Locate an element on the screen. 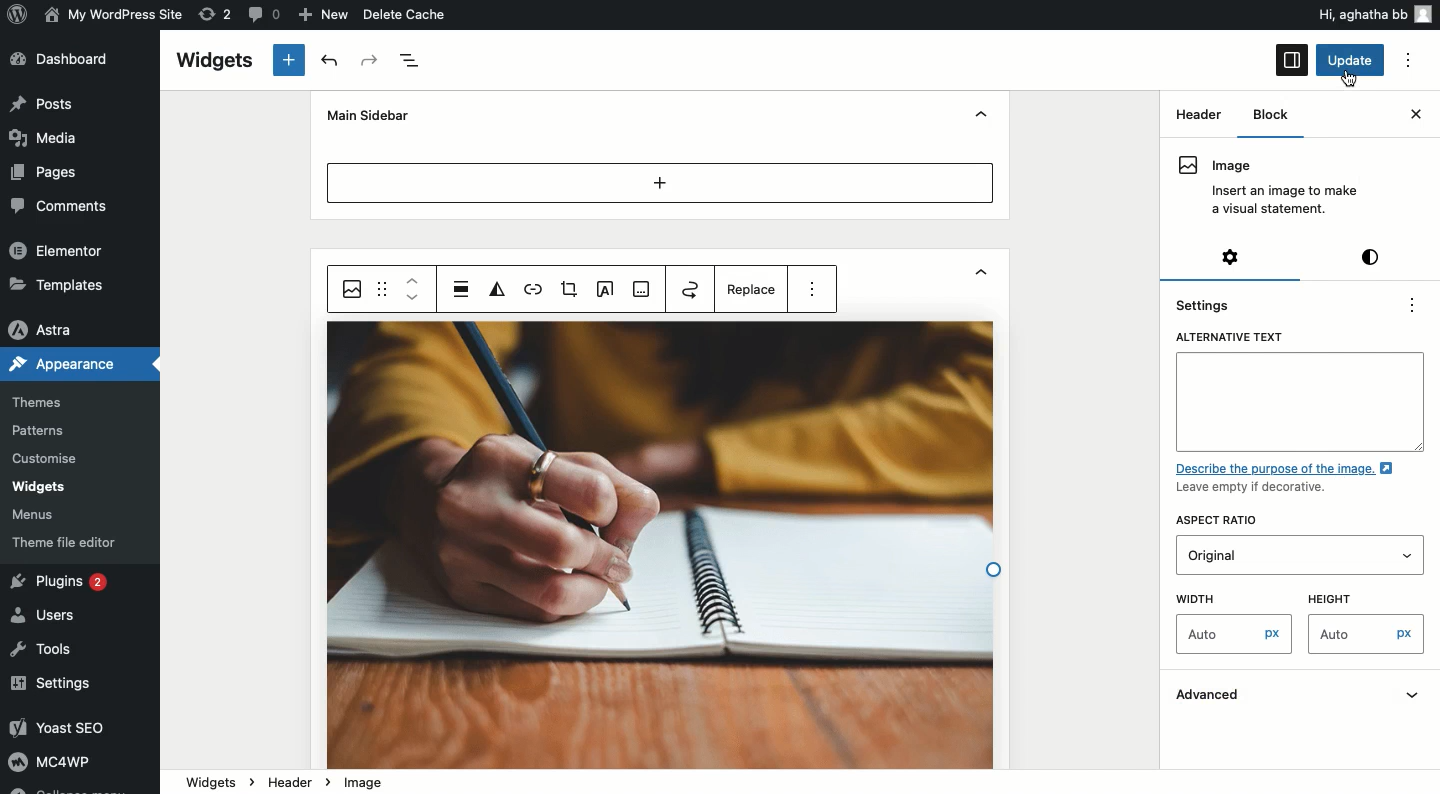 This screenshot has height=794, width=1440. Patterns is located at coordinates (41, 430).